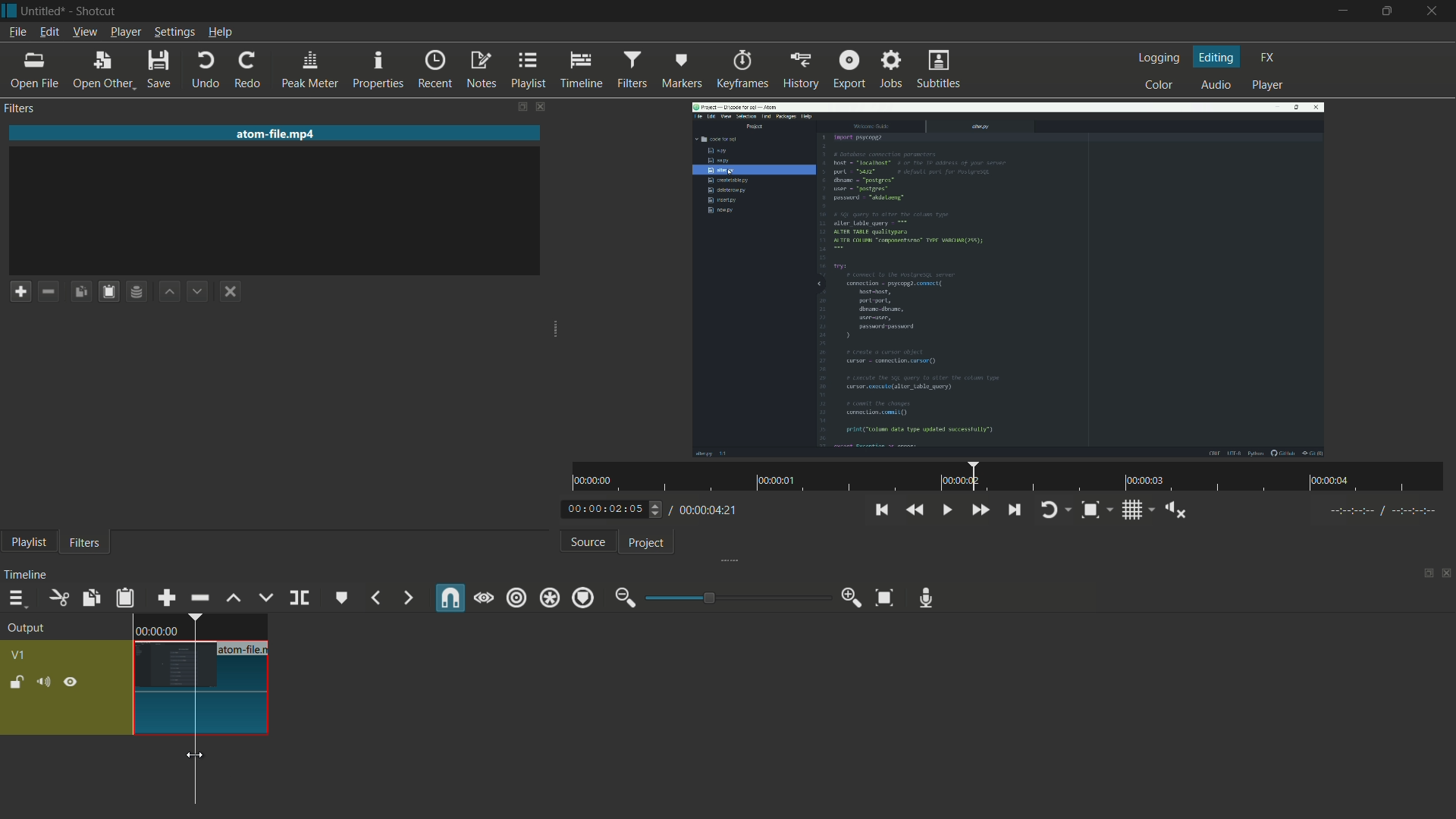 The height and width of the screenshot is (819, 1456). I want to click on previous marker, so click(375, 598).